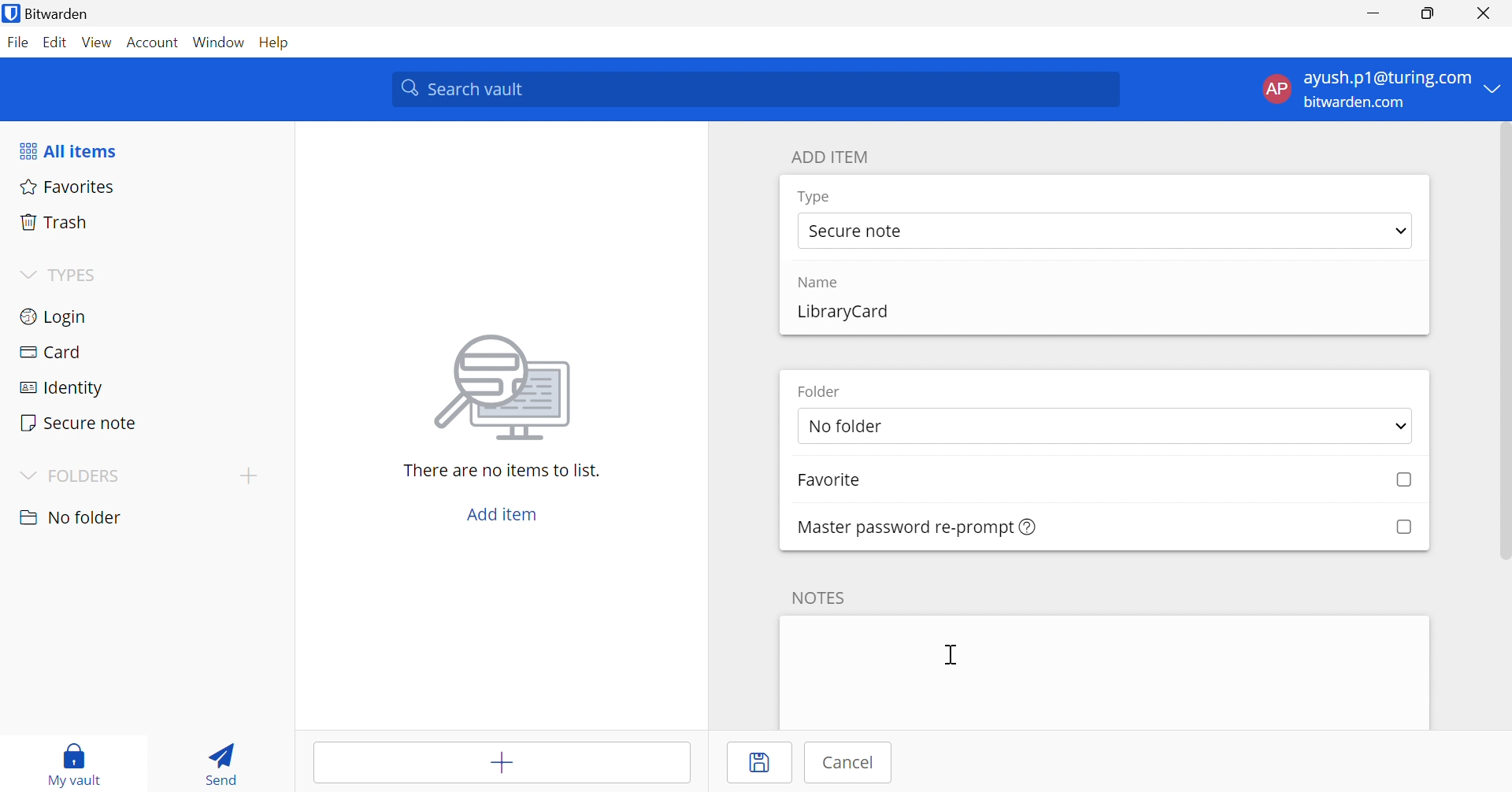 The width and height of the screenshot is (1512, 792). What do you see at coordinates (143, 420) in the screenshot?
I see `Secure note` at bounding box center [143, 420].